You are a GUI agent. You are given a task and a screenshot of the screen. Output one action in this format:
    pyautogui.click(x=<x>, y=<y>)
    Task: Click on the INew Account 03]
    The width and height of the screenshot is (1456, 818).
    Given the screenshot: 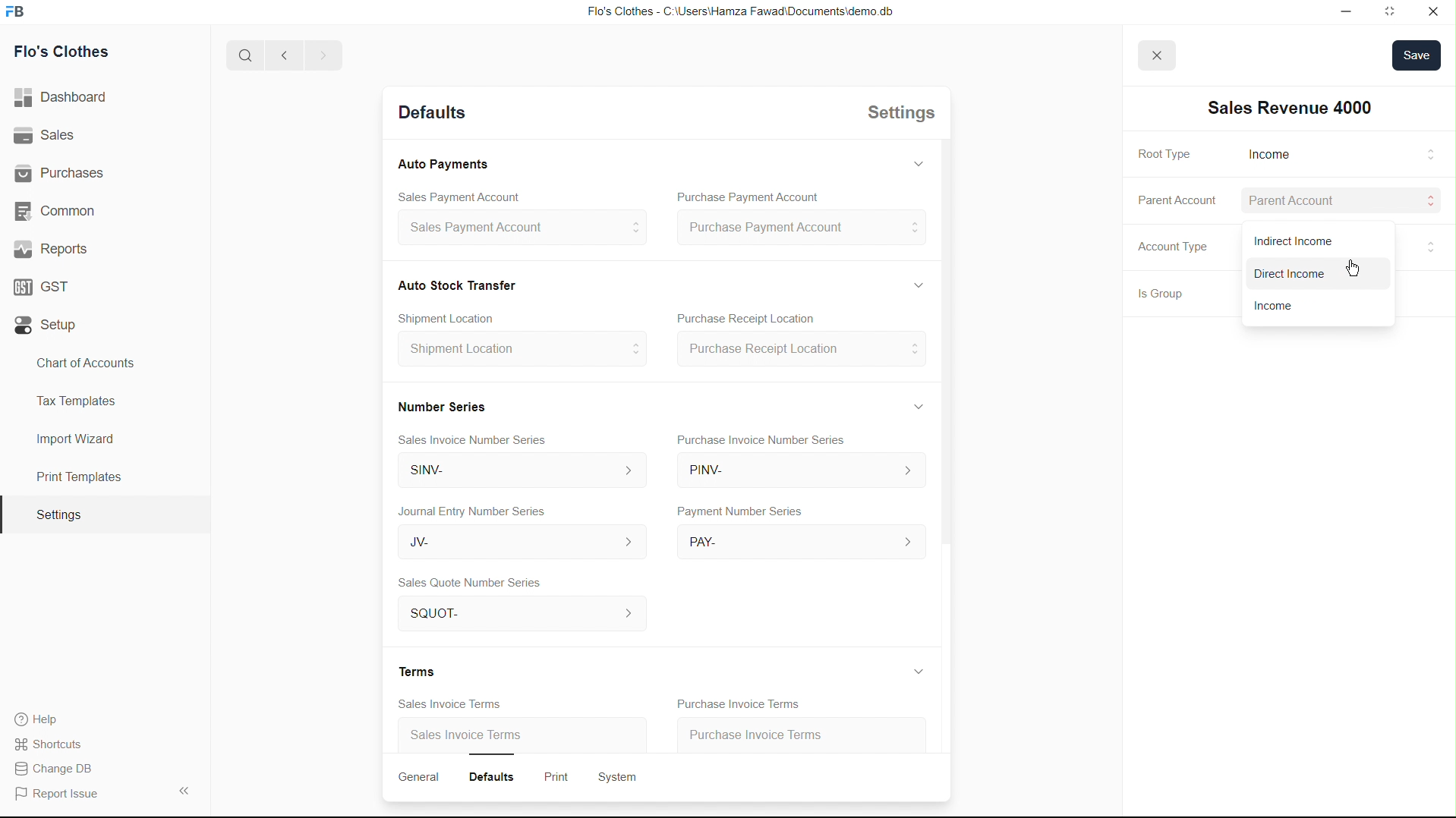 What is the action you would take?
    pyautogui.click(x=1291, y=108)
    